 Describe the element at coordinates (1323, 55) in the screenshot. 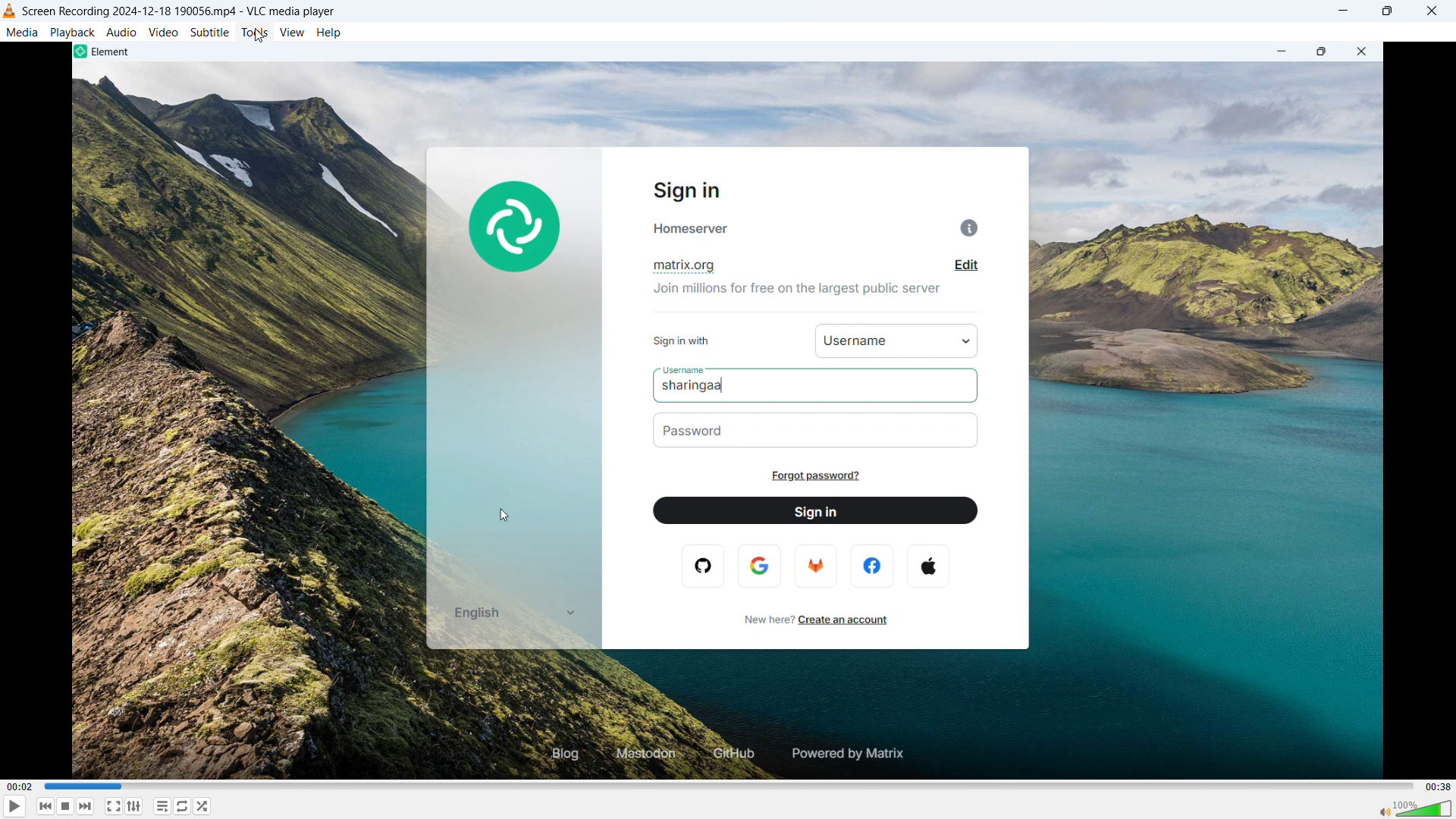

I see `maximize` at that location.